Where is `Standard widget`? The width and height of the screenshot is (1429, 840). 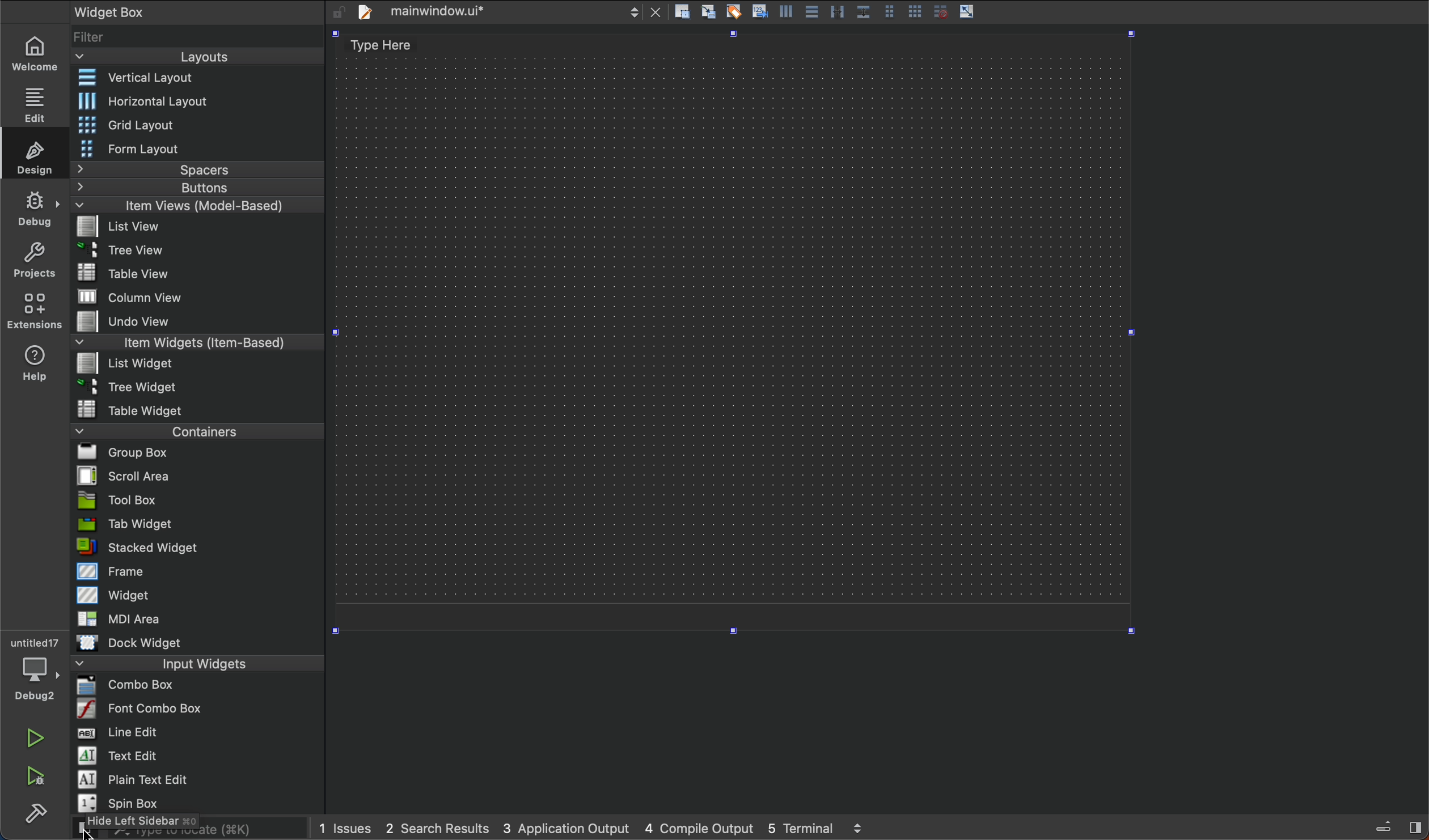
Standard widget is located at coordinates (137, 549).